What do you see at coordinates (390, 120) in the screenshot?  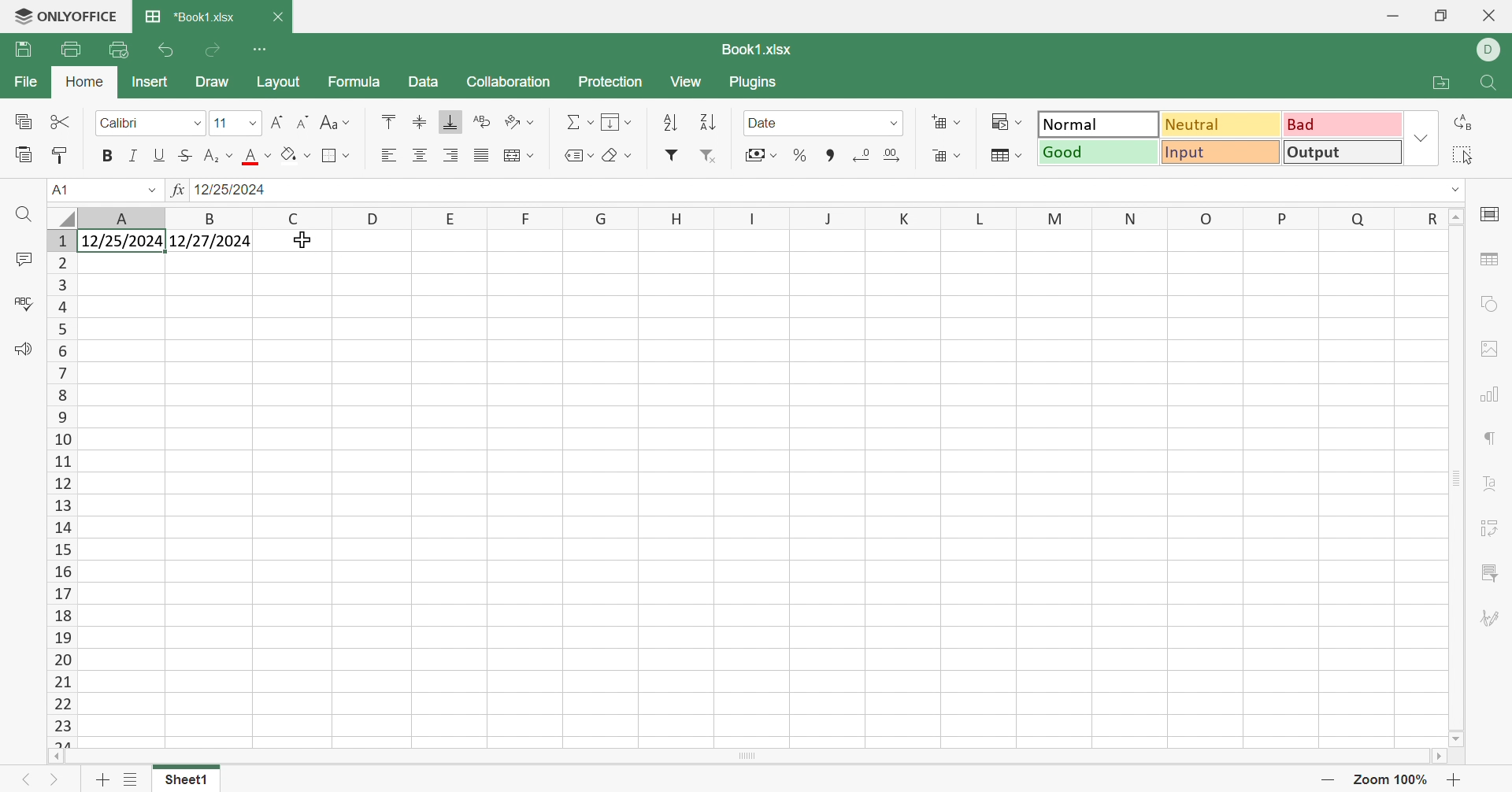 I see `Align Top` at bounding box center [390, 120].